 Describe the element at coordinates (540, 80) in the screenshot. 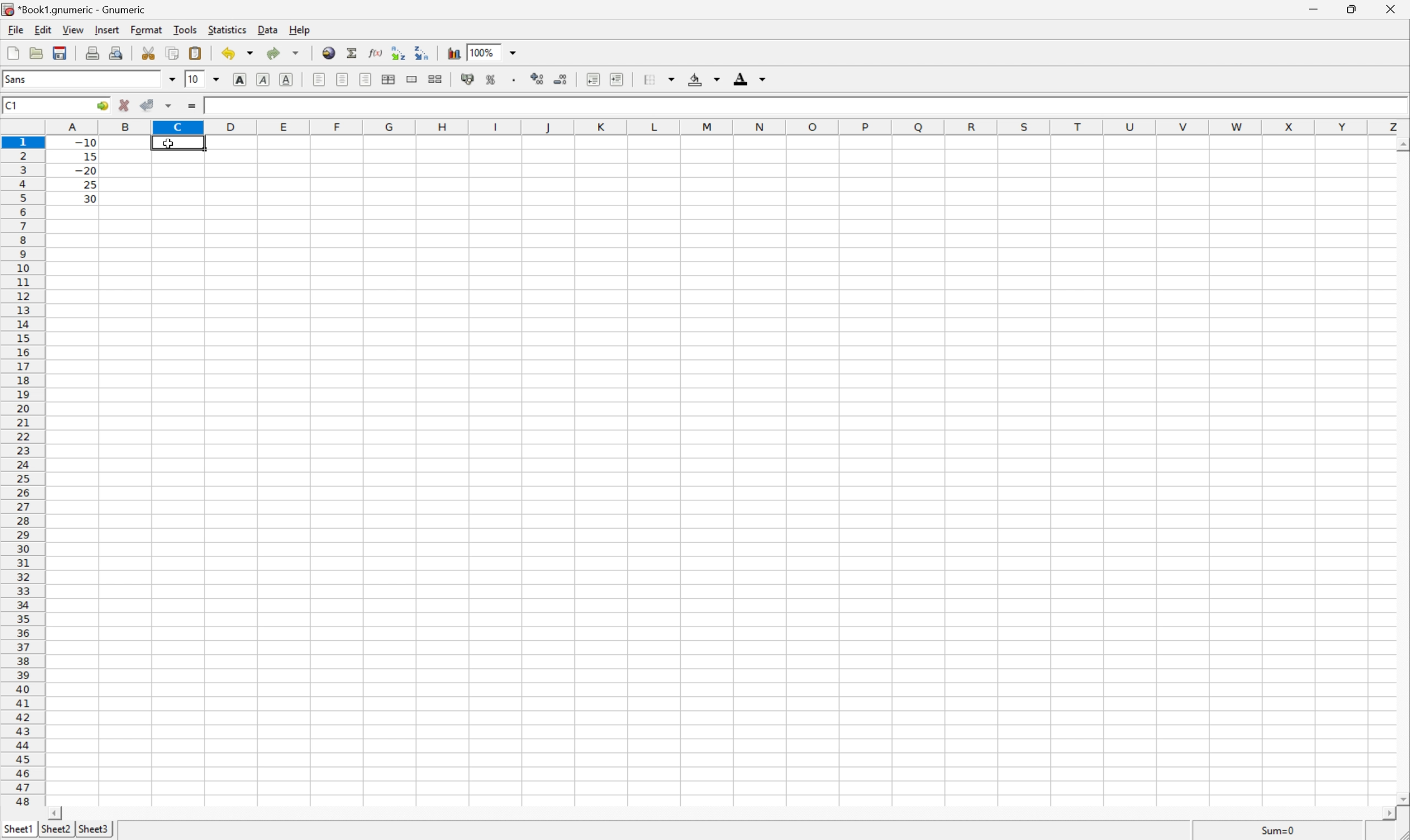

I see `Increase the number of decimals displayed` at that location.